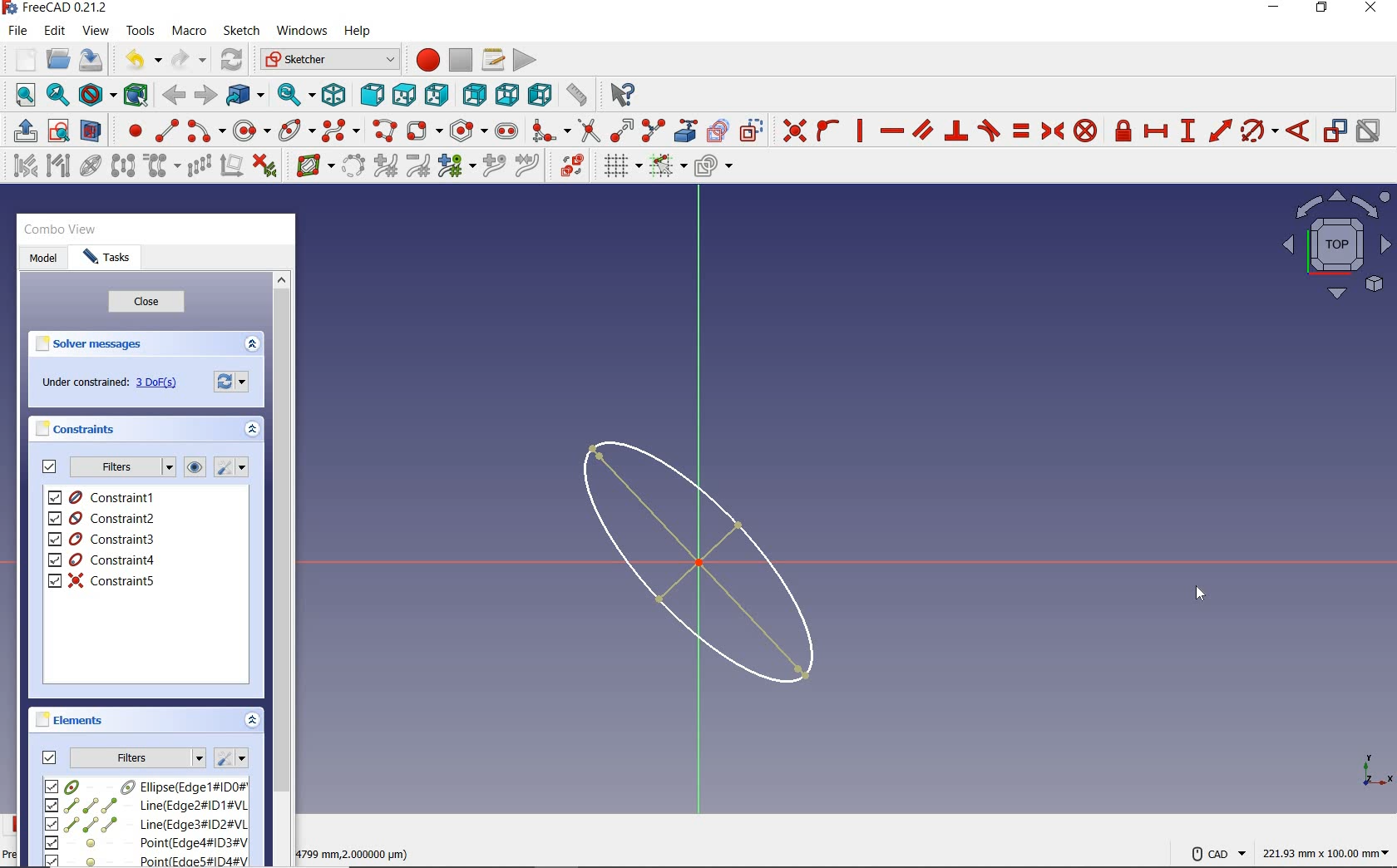 This screenshot has width=1397, height=868. What do you see at coordinates (146, 842) in the screenshot?
I see `element4` at bounding box center [146, 842].